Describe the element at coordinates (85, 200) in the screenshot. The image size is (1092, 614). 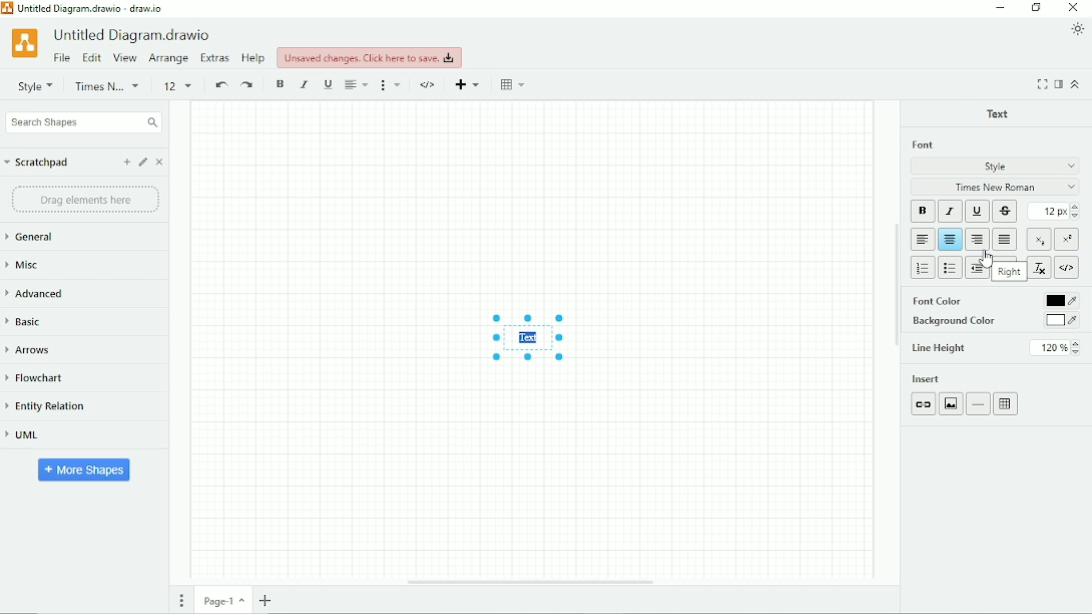
I see `Drag elements here` at that location.